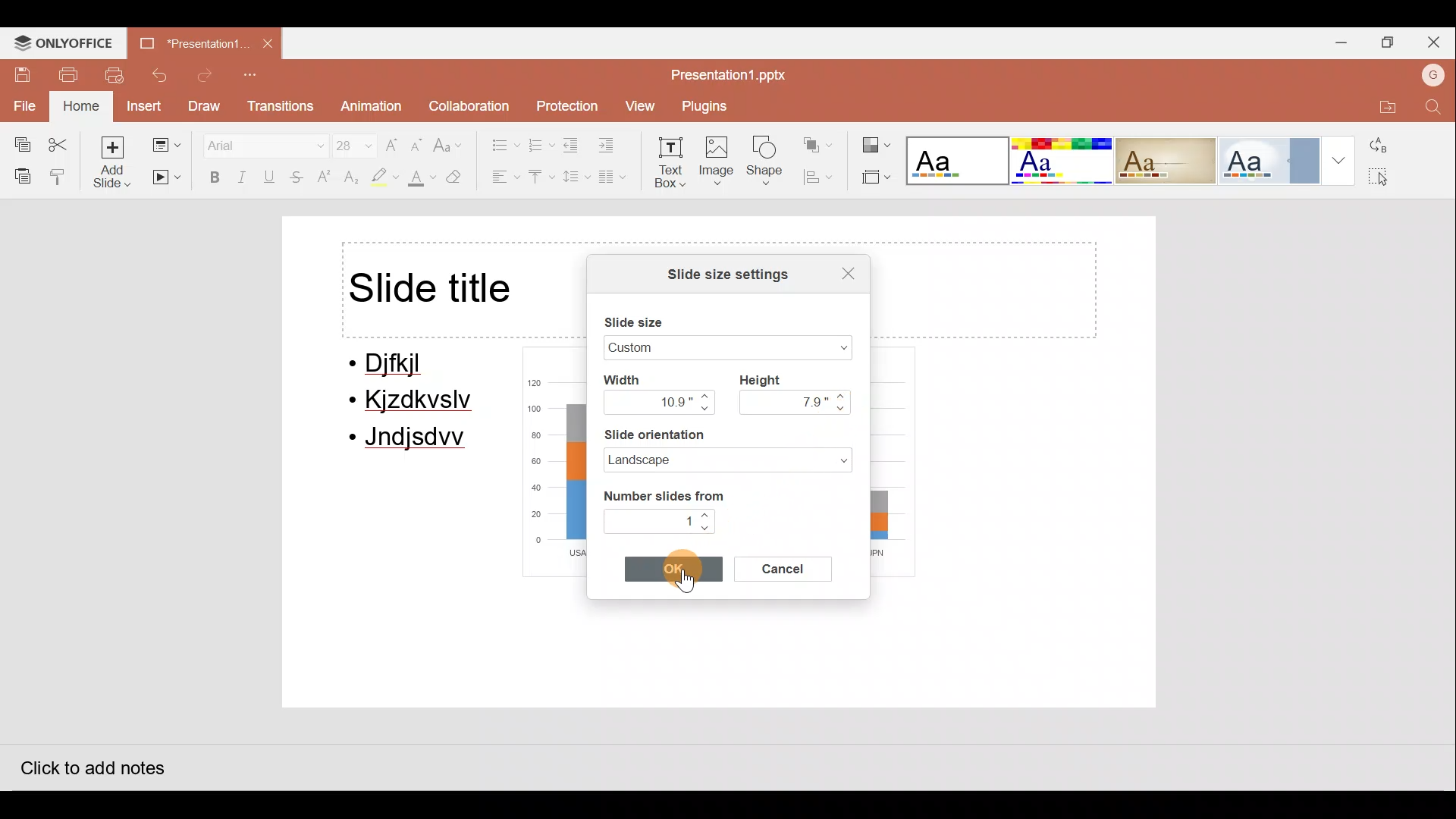 The height and width of the screenshot is (819, 1456). What do you see at coordinates (269, 45) in the screenshot?
I see `Close document` at bounding box center [269, 45].